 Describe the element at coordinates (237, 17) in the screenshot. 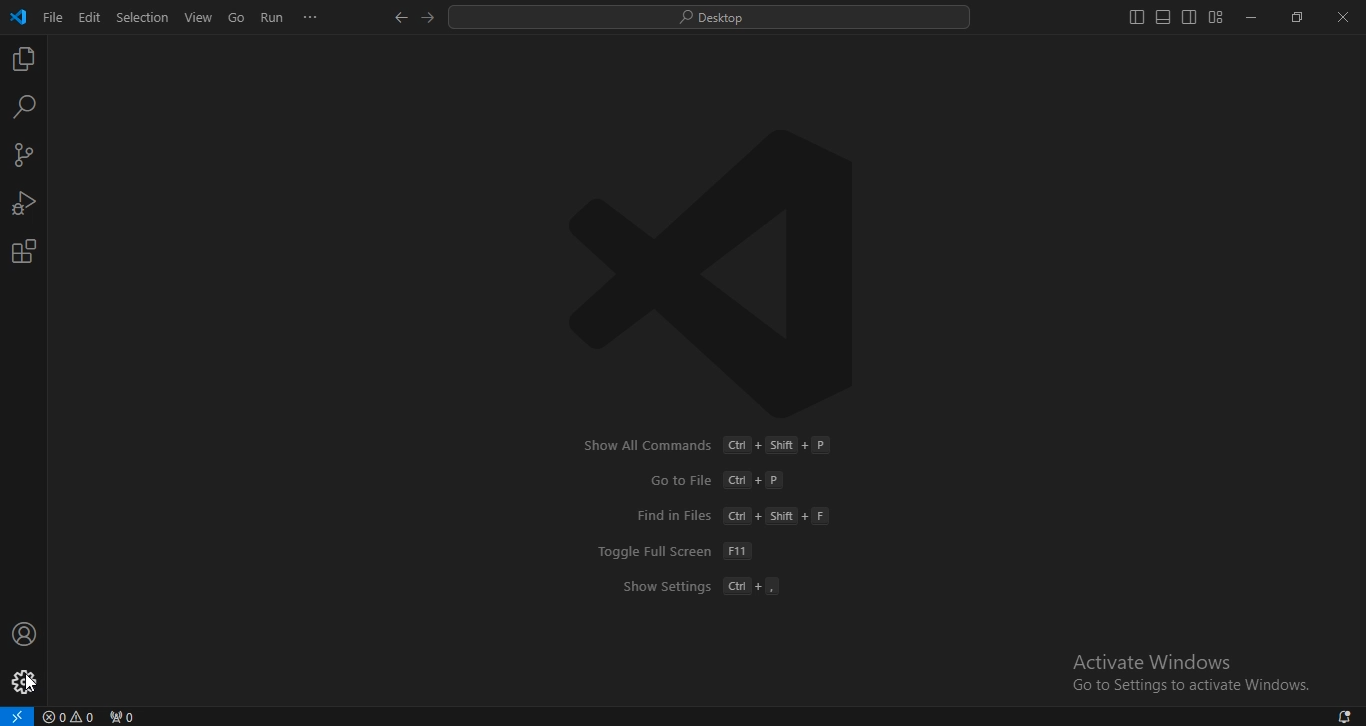

I see `go` at that location.